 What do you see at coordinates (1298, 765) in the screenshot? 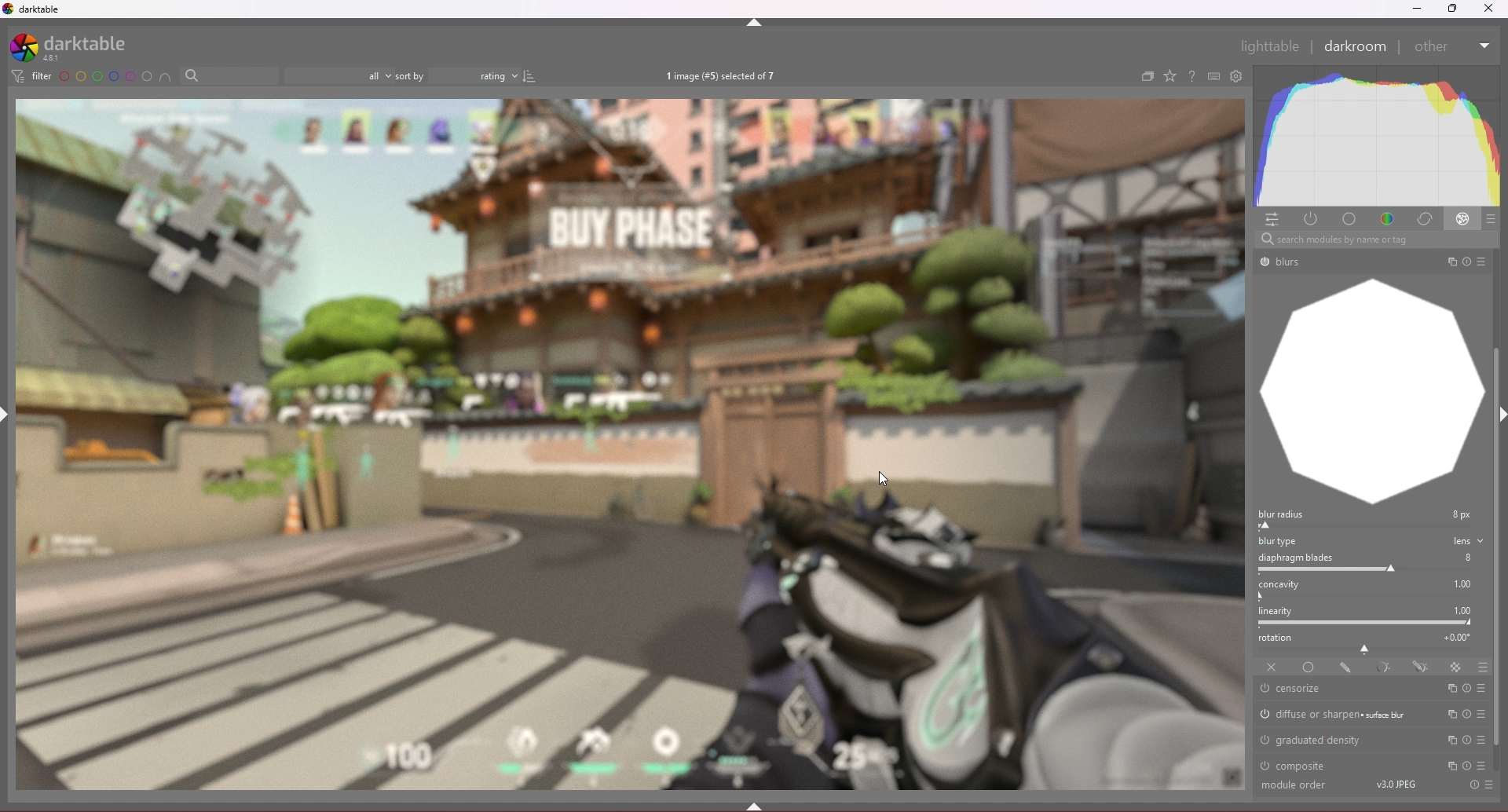
I see `composite` at bounding box center [1298, 765].